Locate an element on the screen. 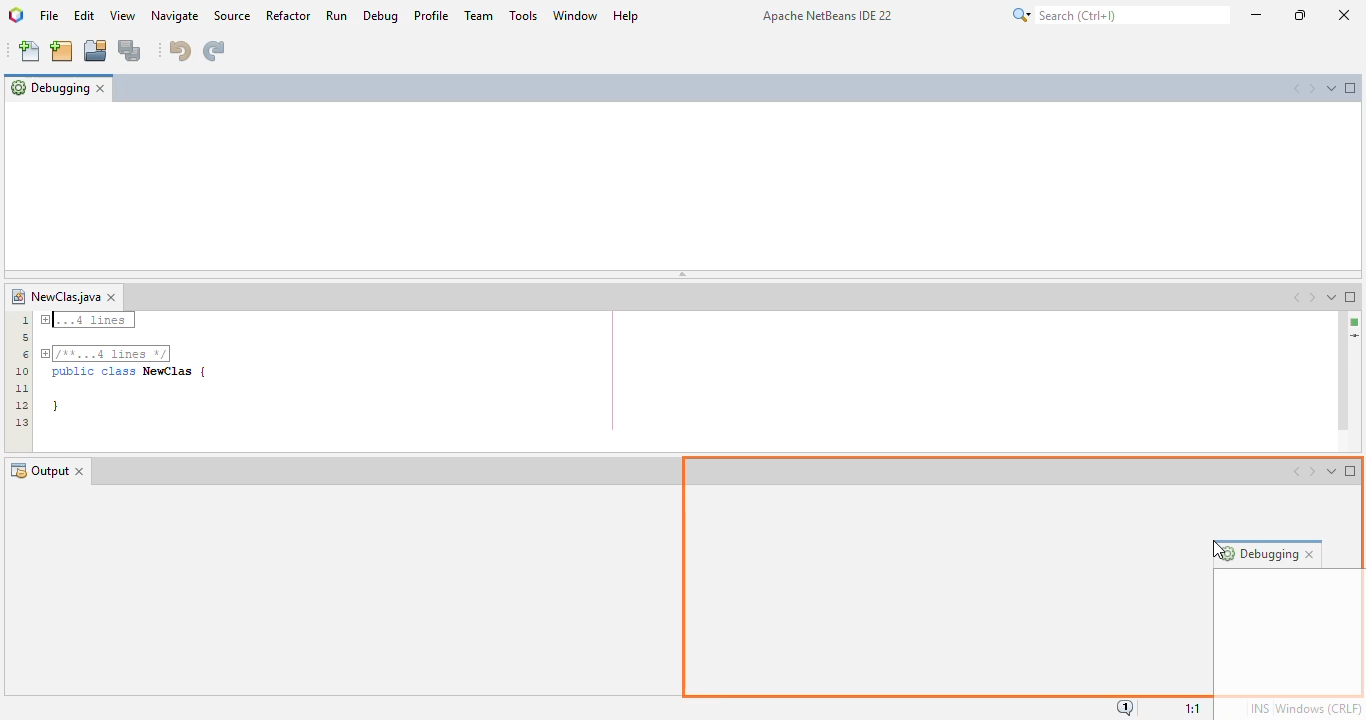  output is located at coordinates (39, 471).